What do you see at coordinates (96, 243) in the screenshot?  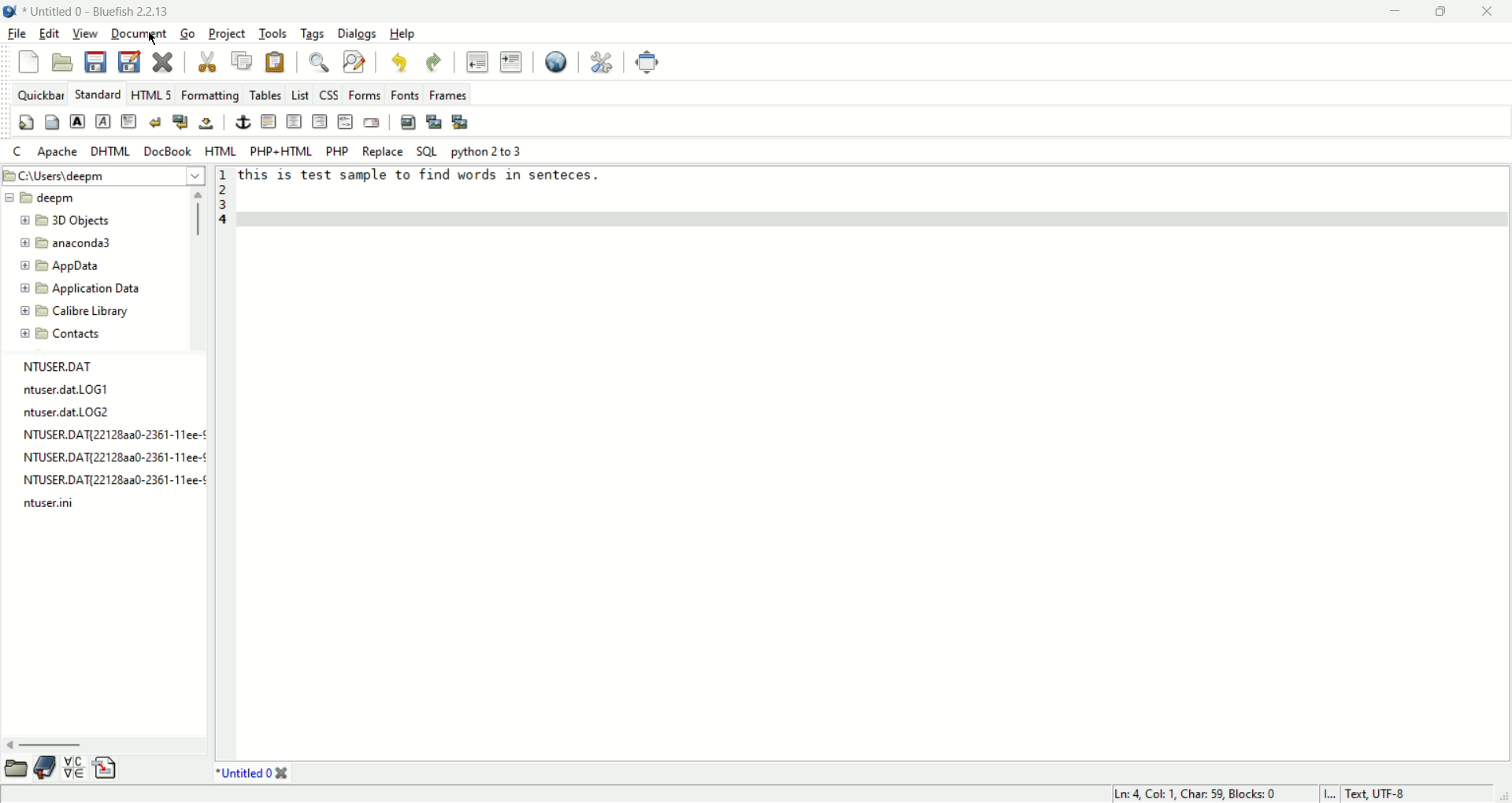 I see `anaconda3` at bounding box center [96, 243].